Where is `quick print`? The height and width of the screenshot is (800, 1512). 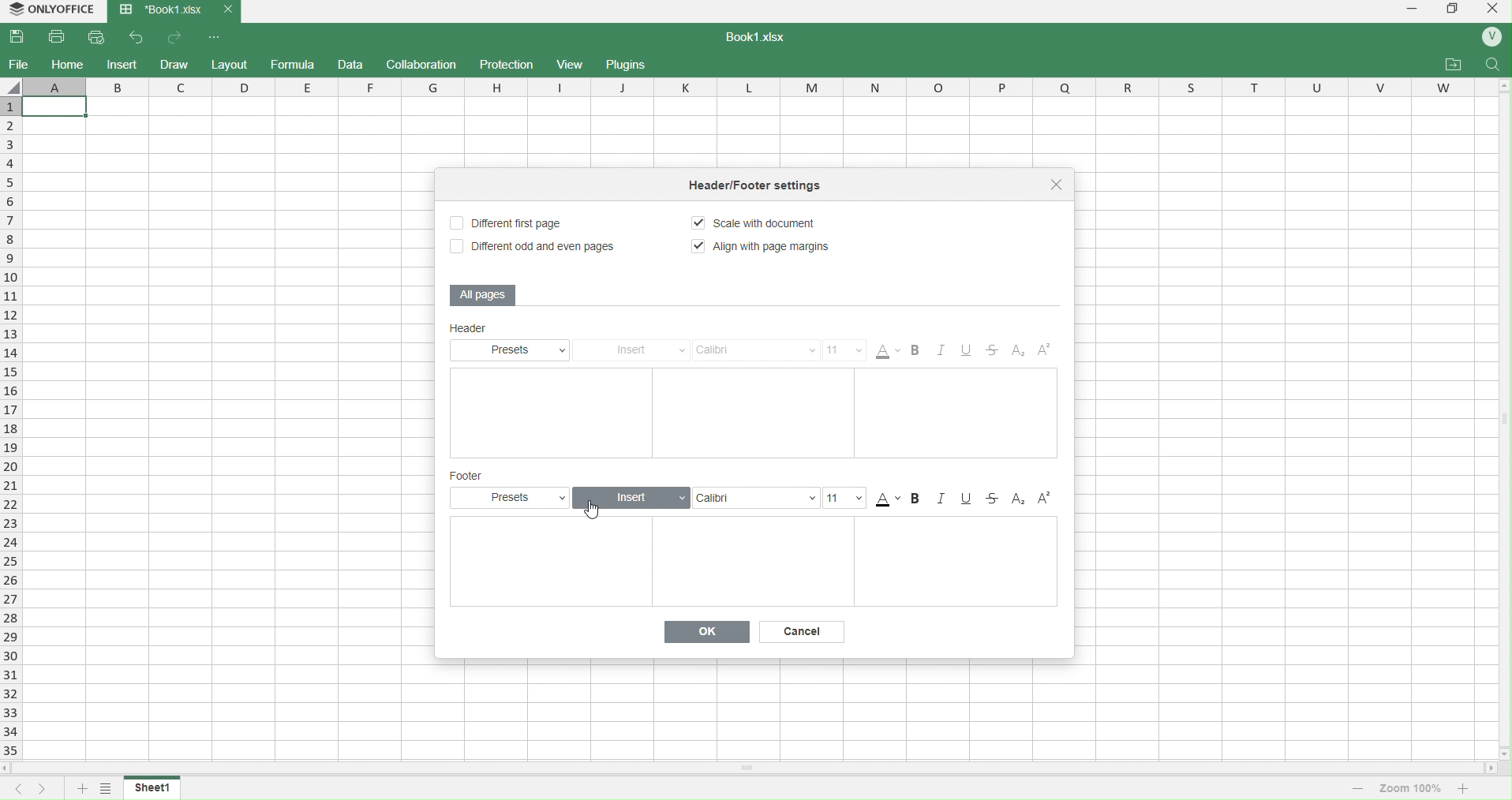
quick print is located at coordinates (99, 36).